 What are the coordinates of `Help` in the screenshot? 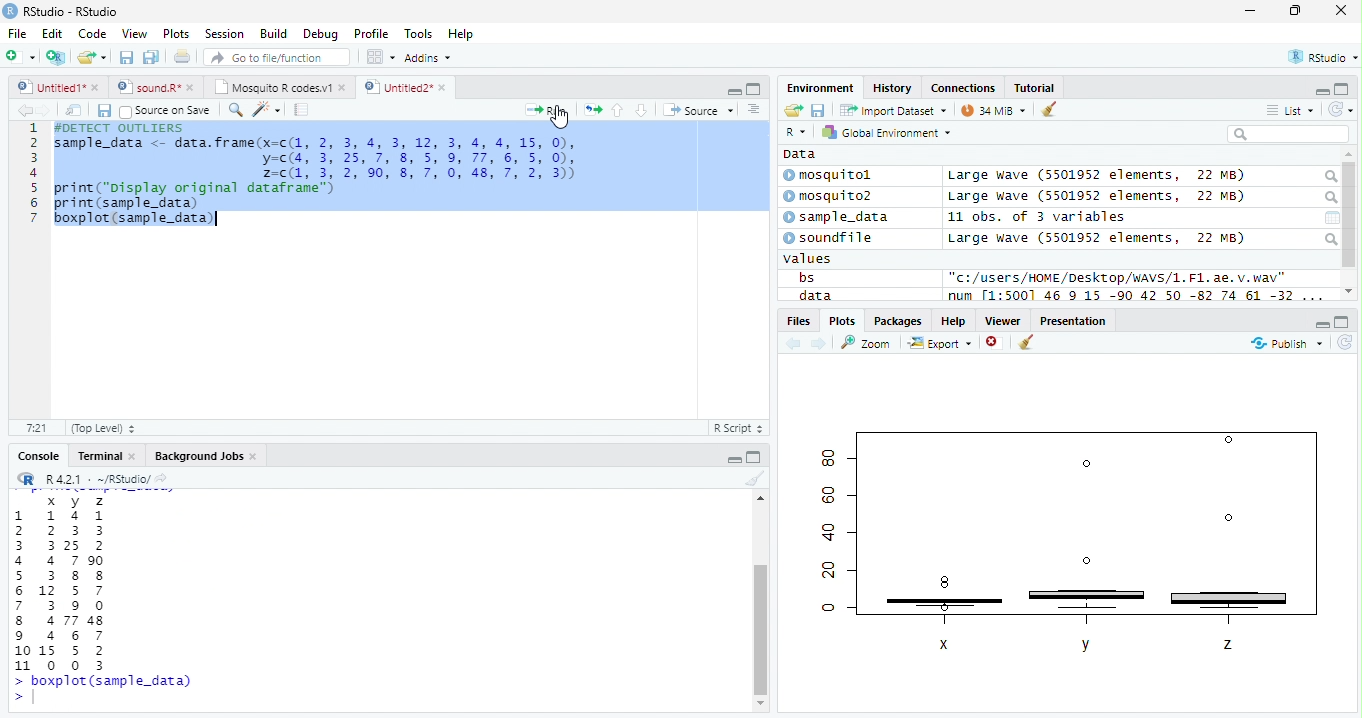 It's located at (463, 34).